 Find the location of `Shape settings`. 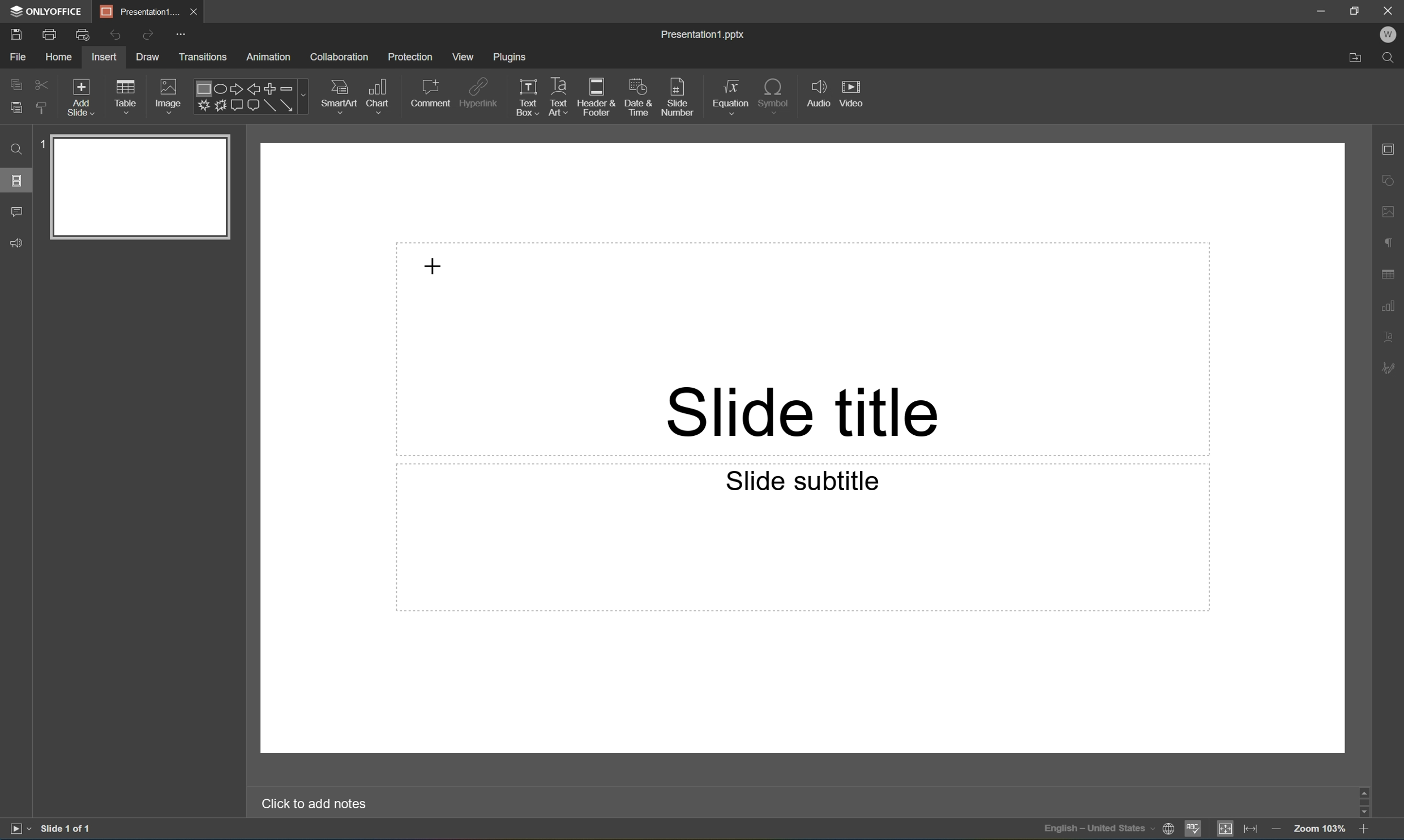

Shape settings is located at coordinates (1393, 179).